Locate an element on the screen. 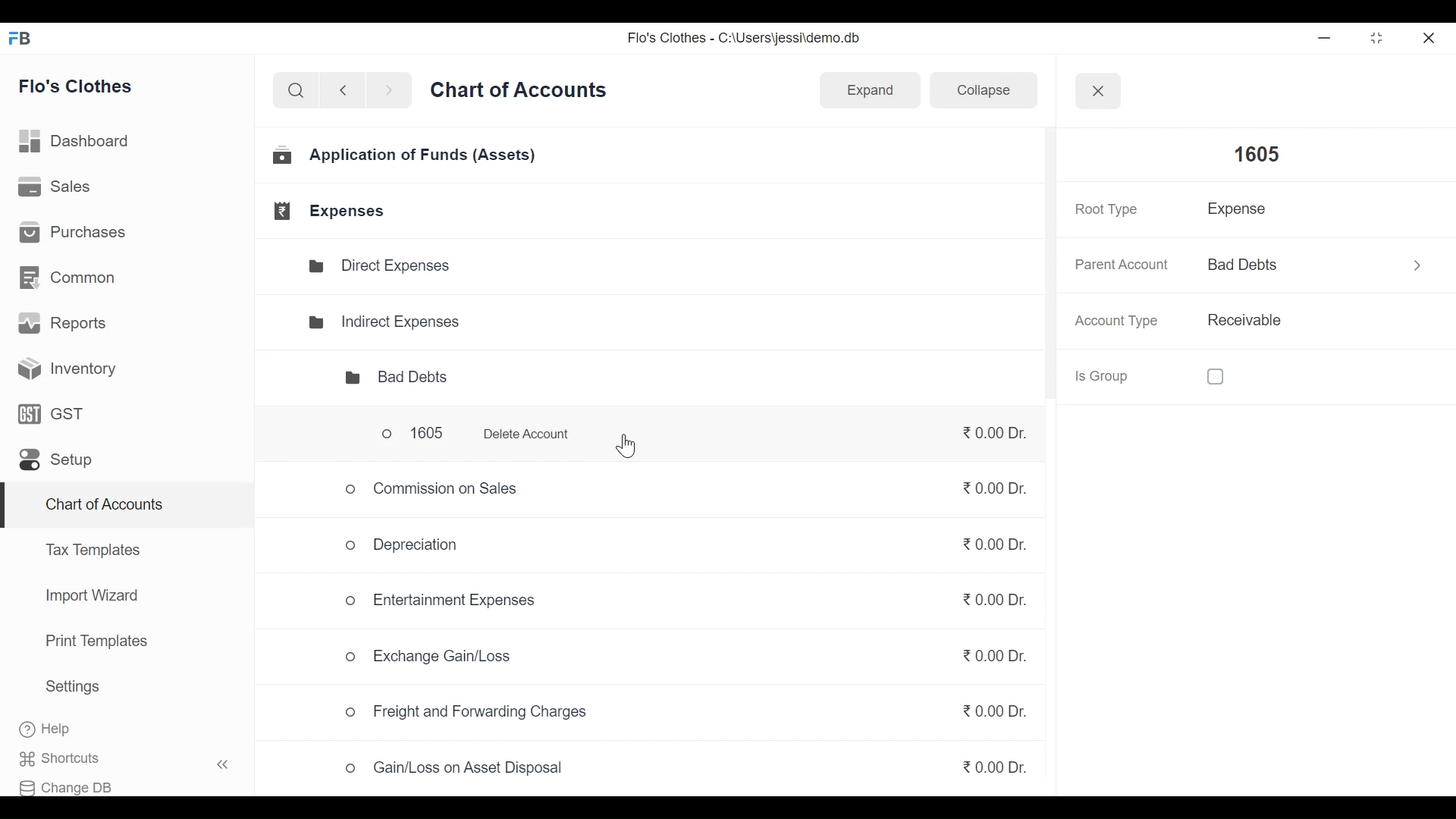 Image resolution: width=1456 pixels, height=819 pixels. Commission on Sales is located at coordinates (433, 488).